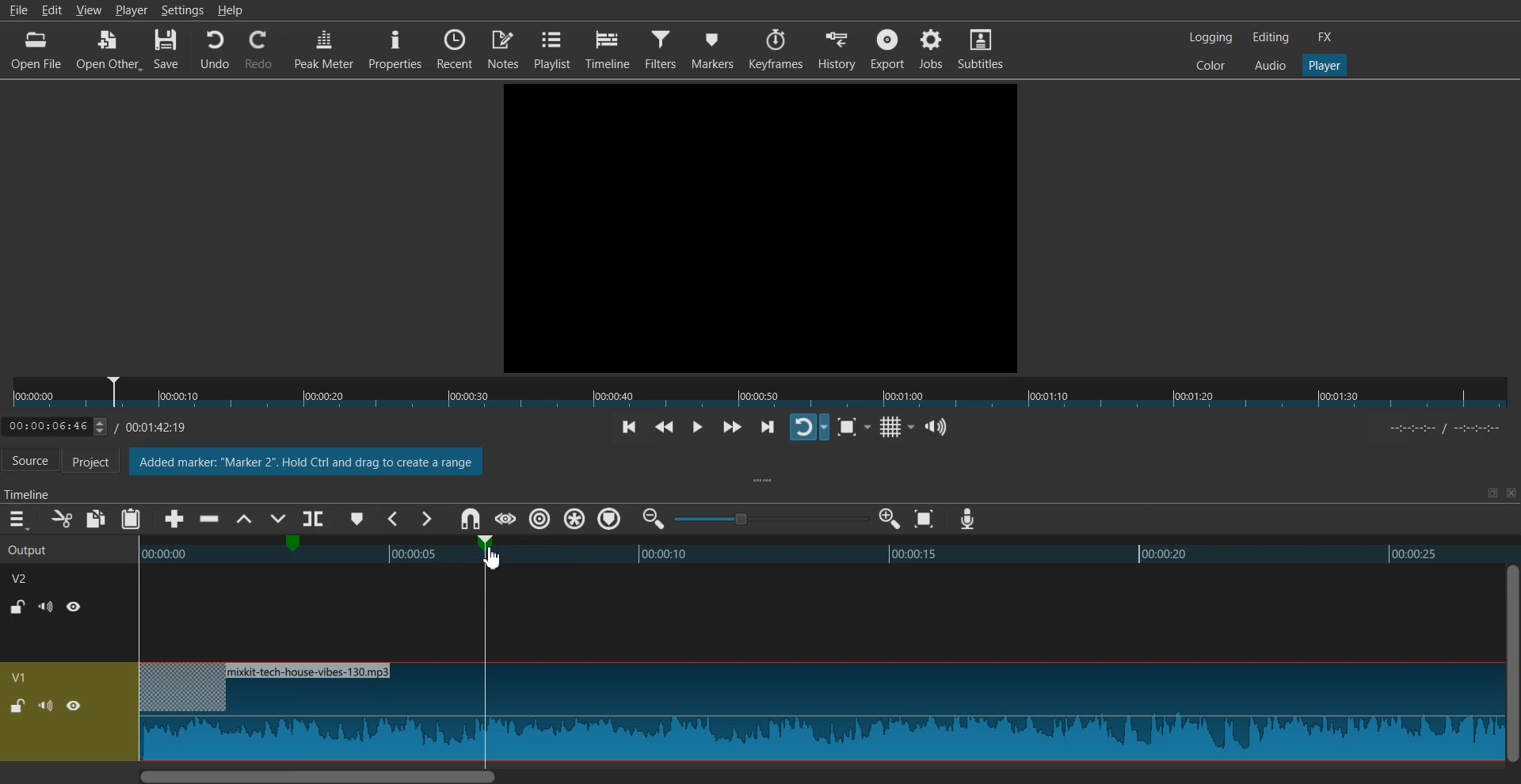  I want to click on Ripple Tracks, so click(611, 519).